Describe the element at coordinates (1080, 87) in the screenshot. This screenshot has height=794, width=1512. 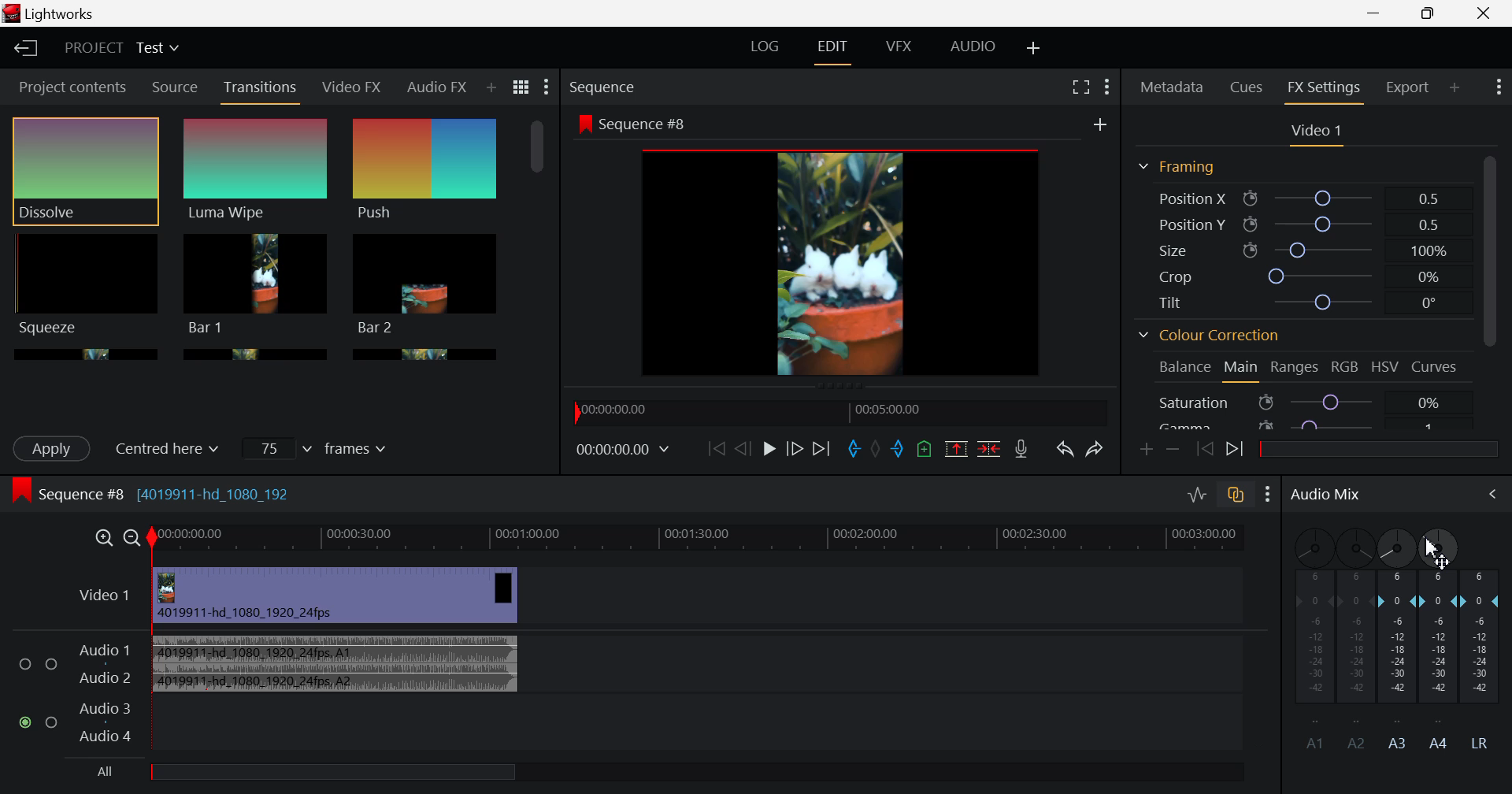
I see `Full Screen` at that location.